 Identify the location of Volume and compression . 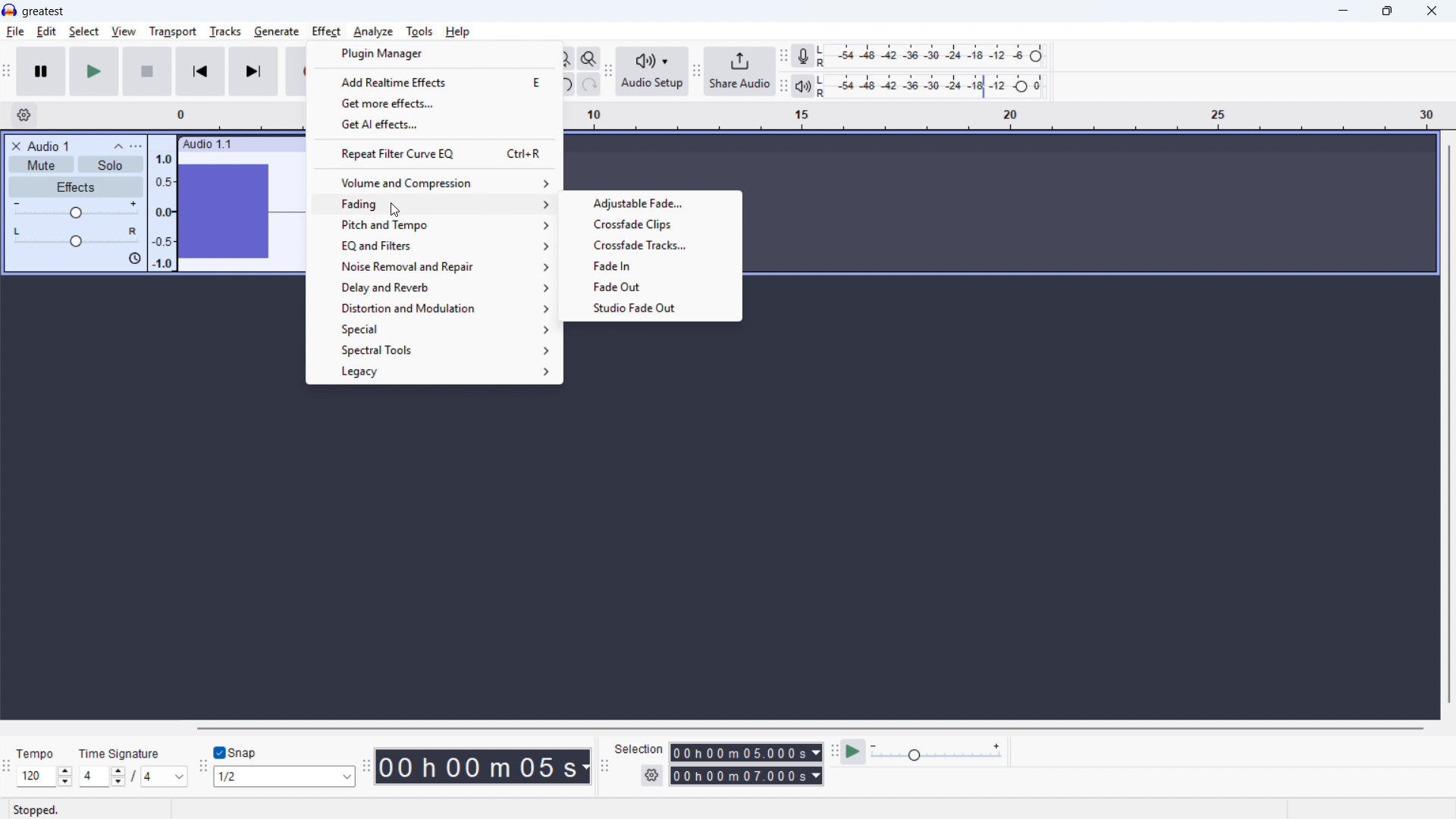
(436, 183).